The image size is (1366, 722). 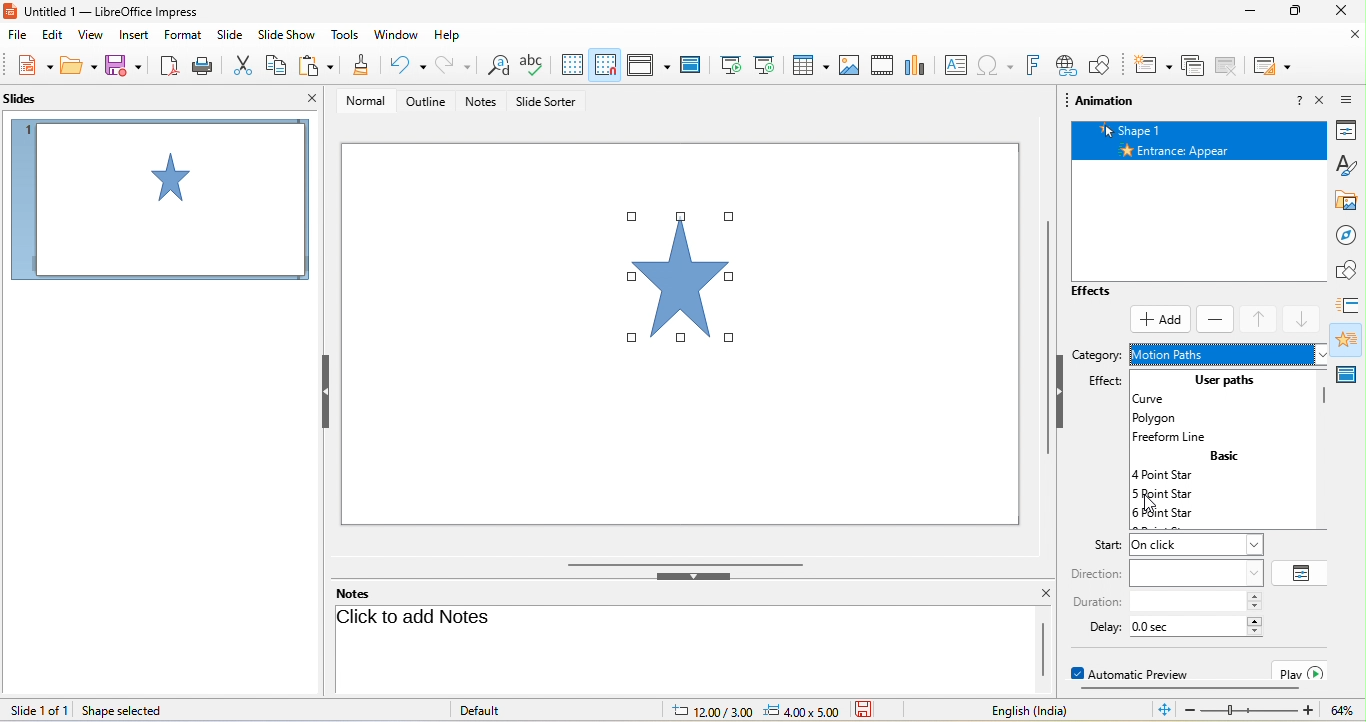 I want to click on master slide, so click(x=692, y=65).